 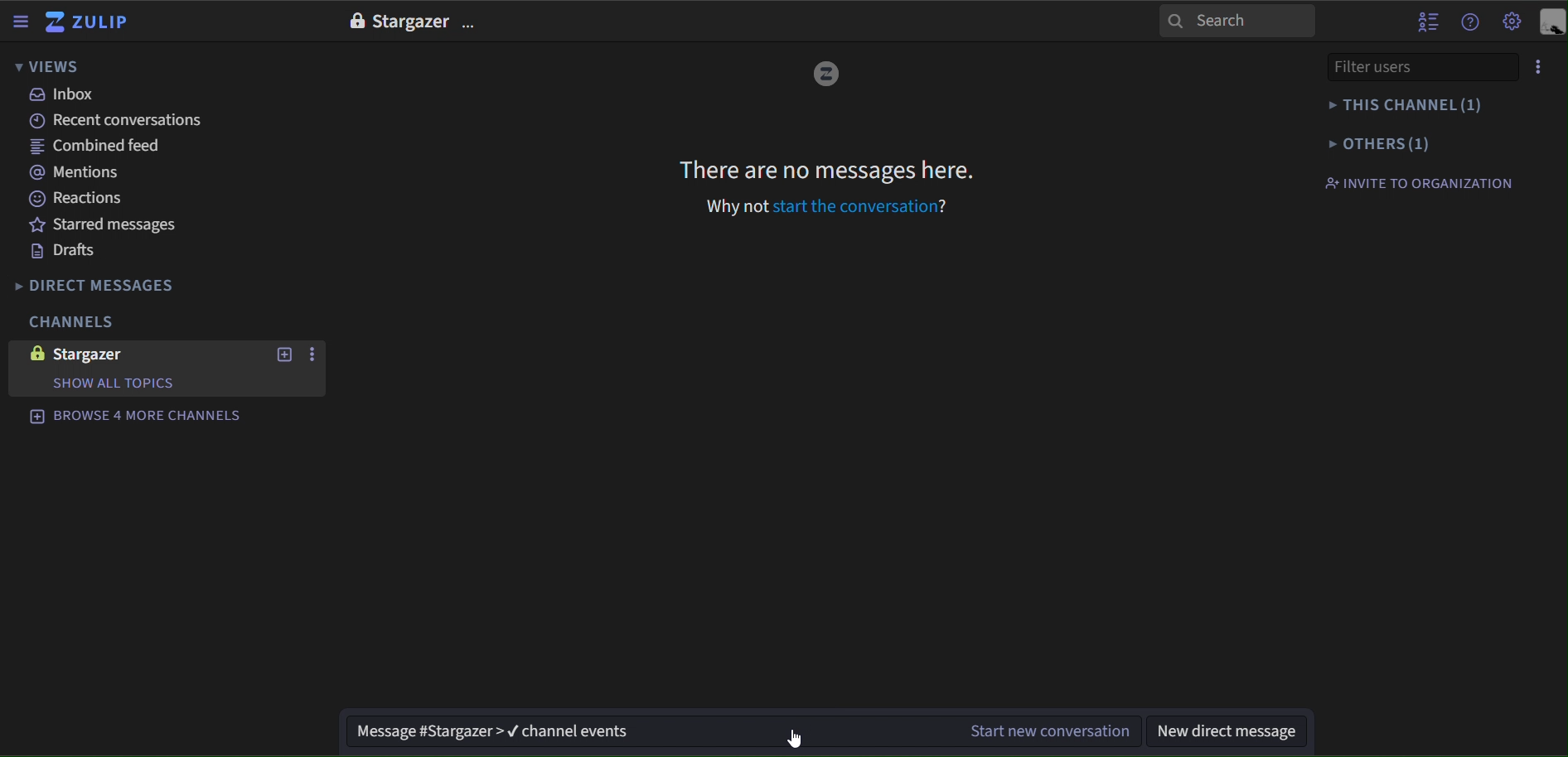 I want to click on options, so click(x=472, y=25).